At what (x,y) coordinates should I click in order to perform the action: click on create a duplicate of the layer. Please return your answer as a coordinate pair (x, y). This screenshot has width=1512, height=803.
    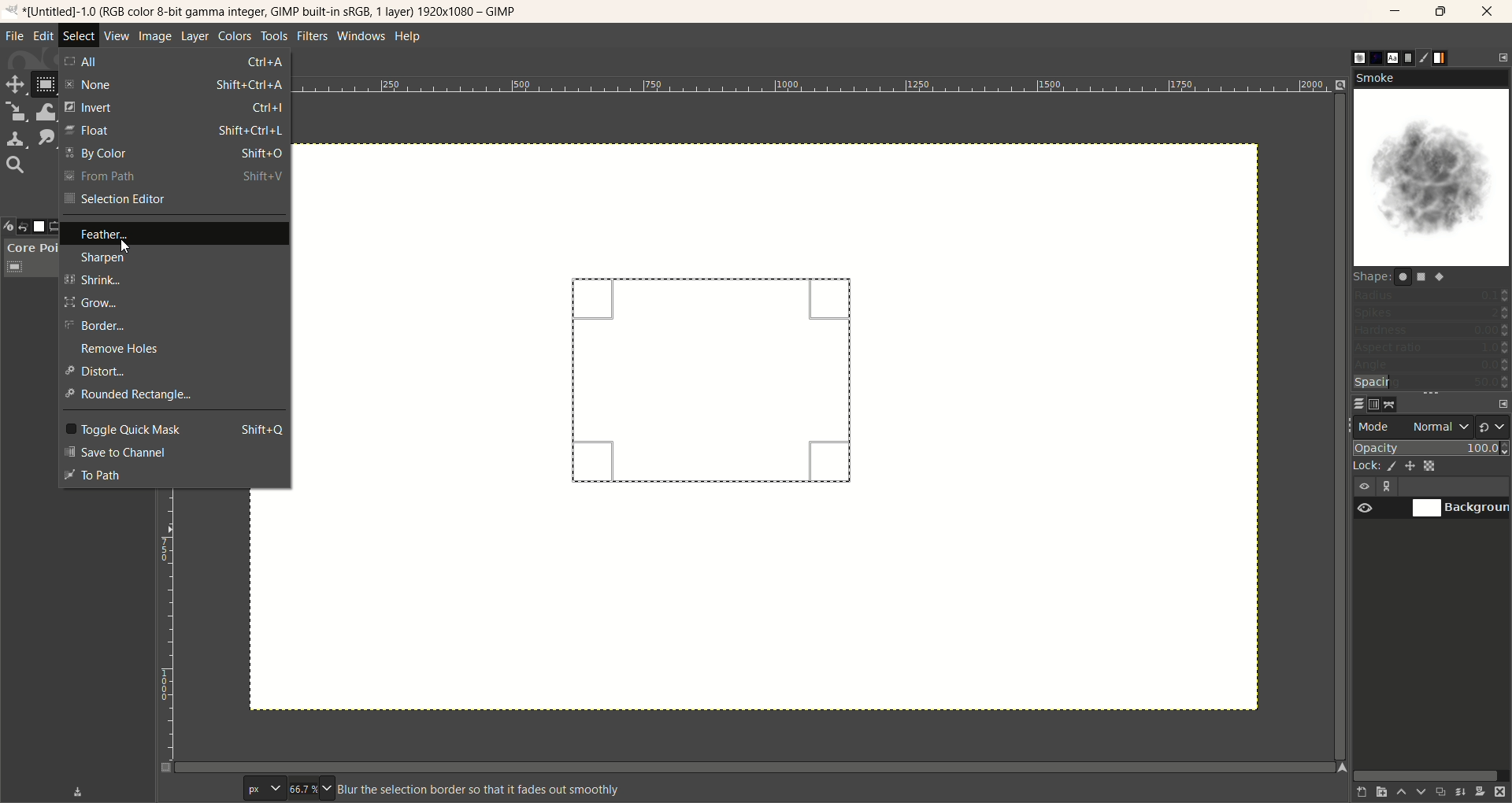
    Looking at the image, I should click on (1440, 793).